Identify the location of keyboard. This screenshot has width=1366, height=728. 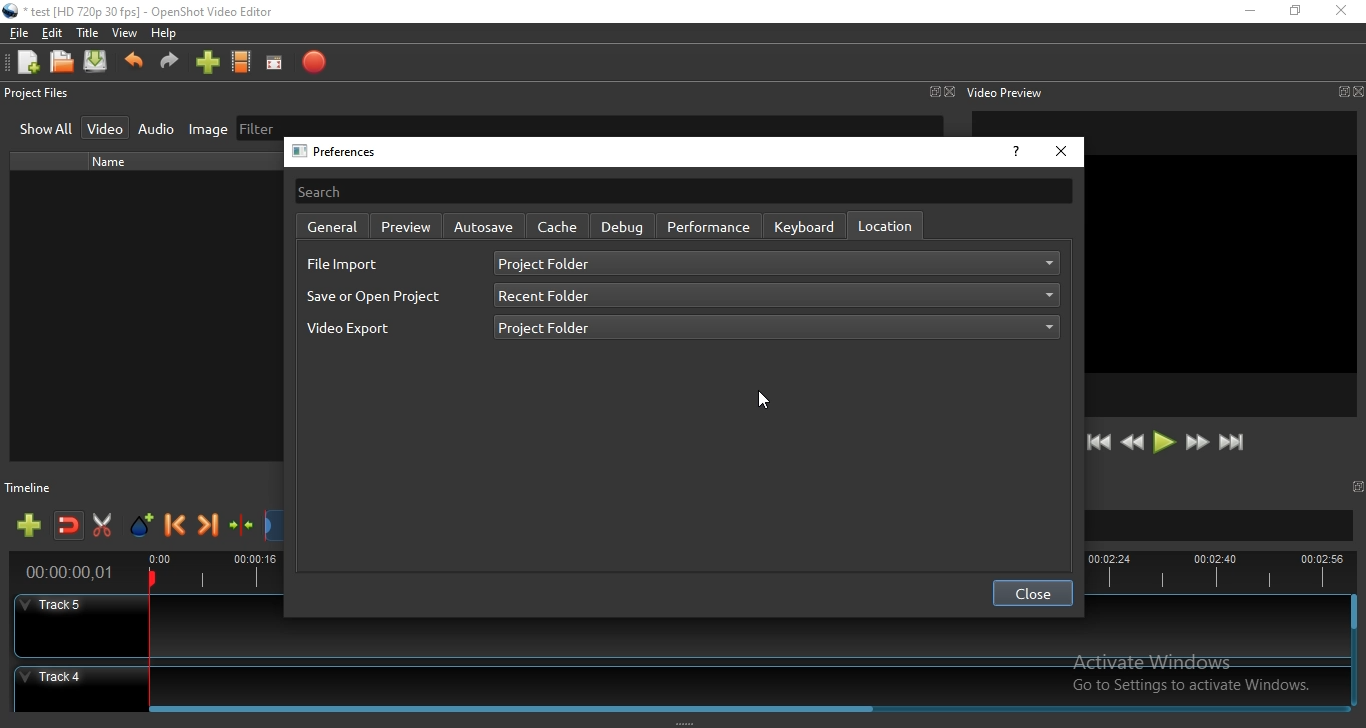
(806, 226).